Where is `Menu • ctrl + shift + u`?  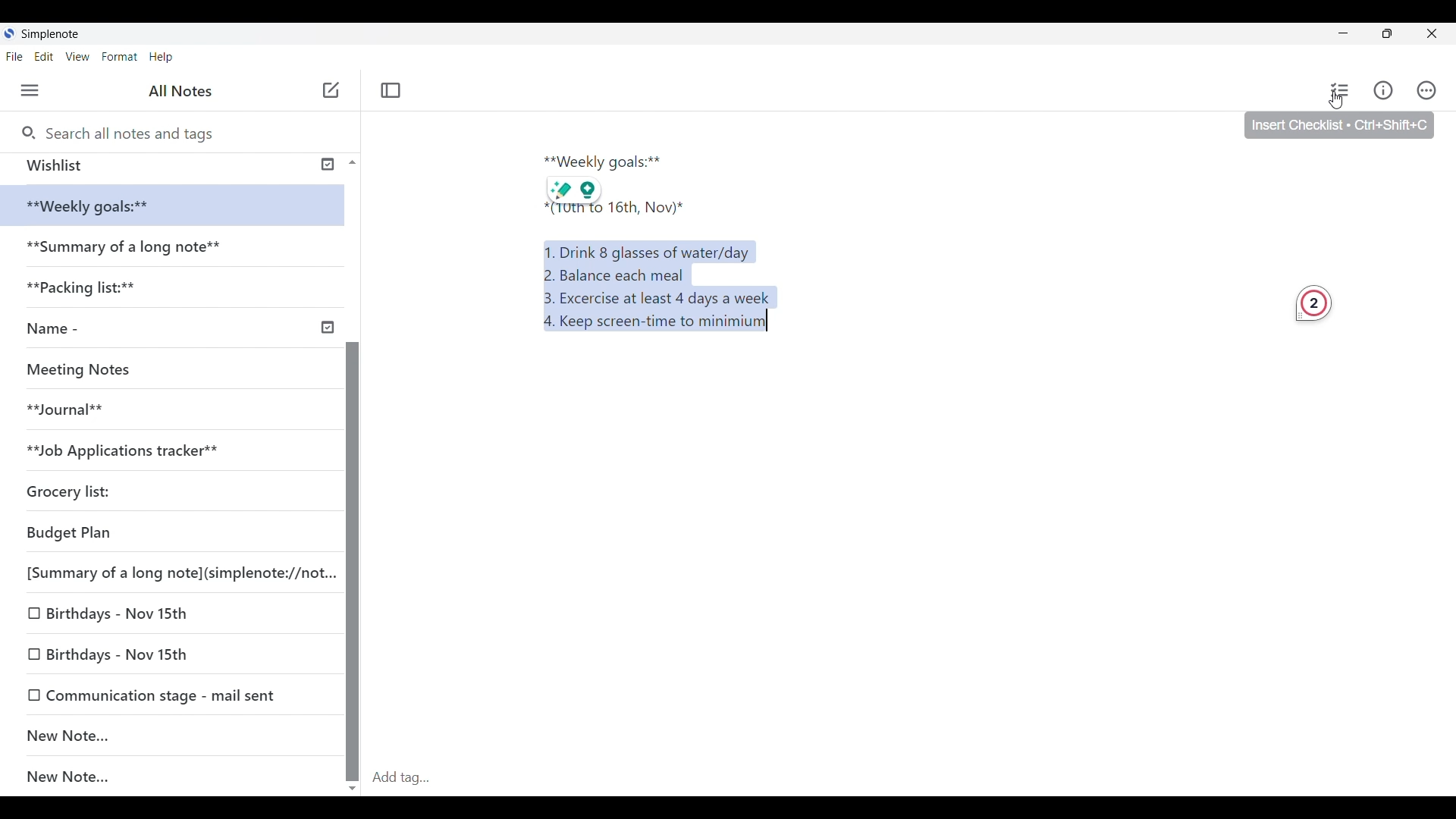 Menu • ctrl + shift + u is located at coordinates (36, 90).